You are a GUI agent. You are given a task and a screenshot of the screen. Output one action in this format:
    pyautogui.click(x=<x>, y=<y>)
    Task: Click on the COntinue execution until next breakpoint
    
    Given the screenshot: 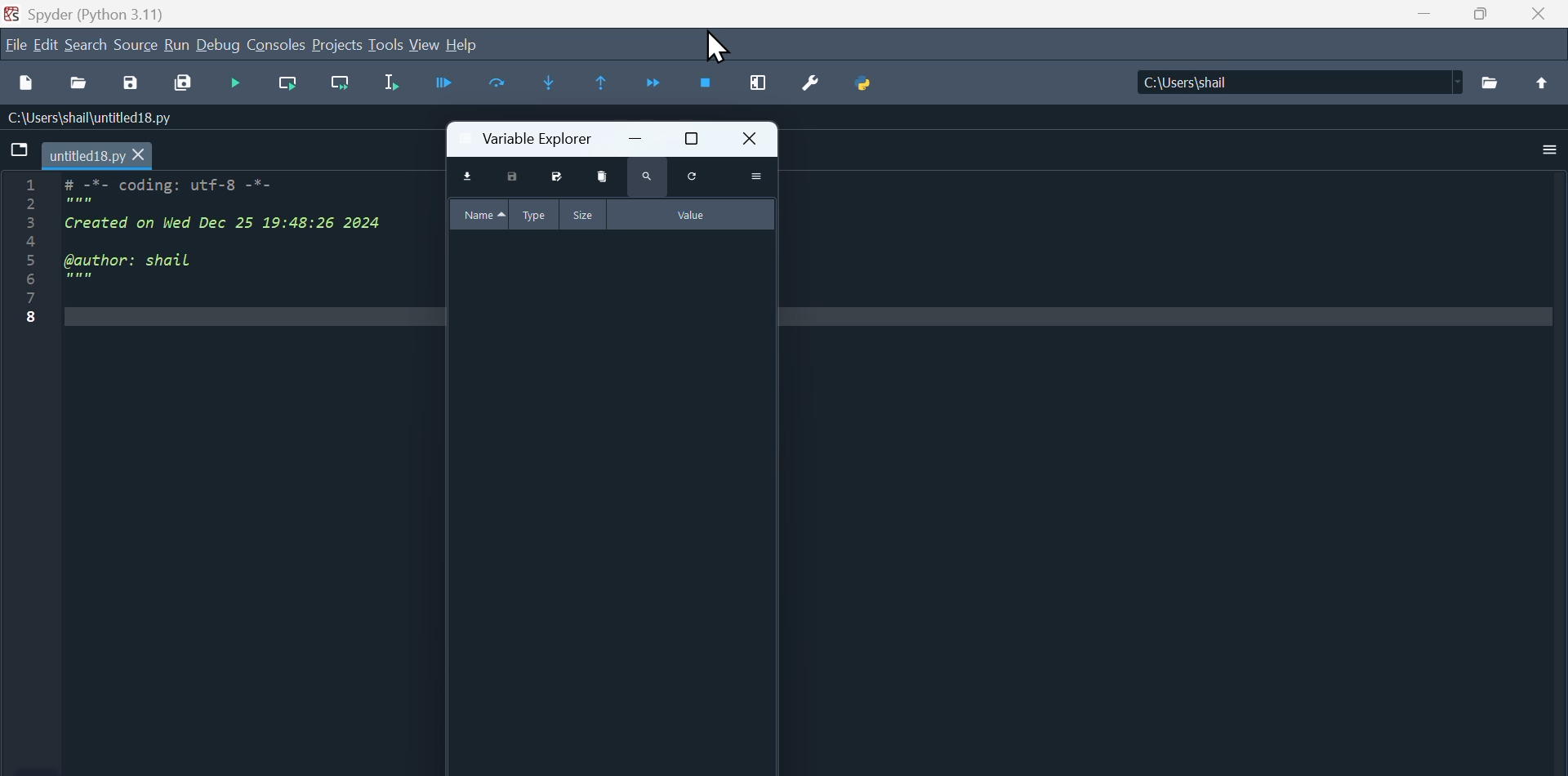 What is the action you would take?
    pyautogui.click(x=658, y=87)
    